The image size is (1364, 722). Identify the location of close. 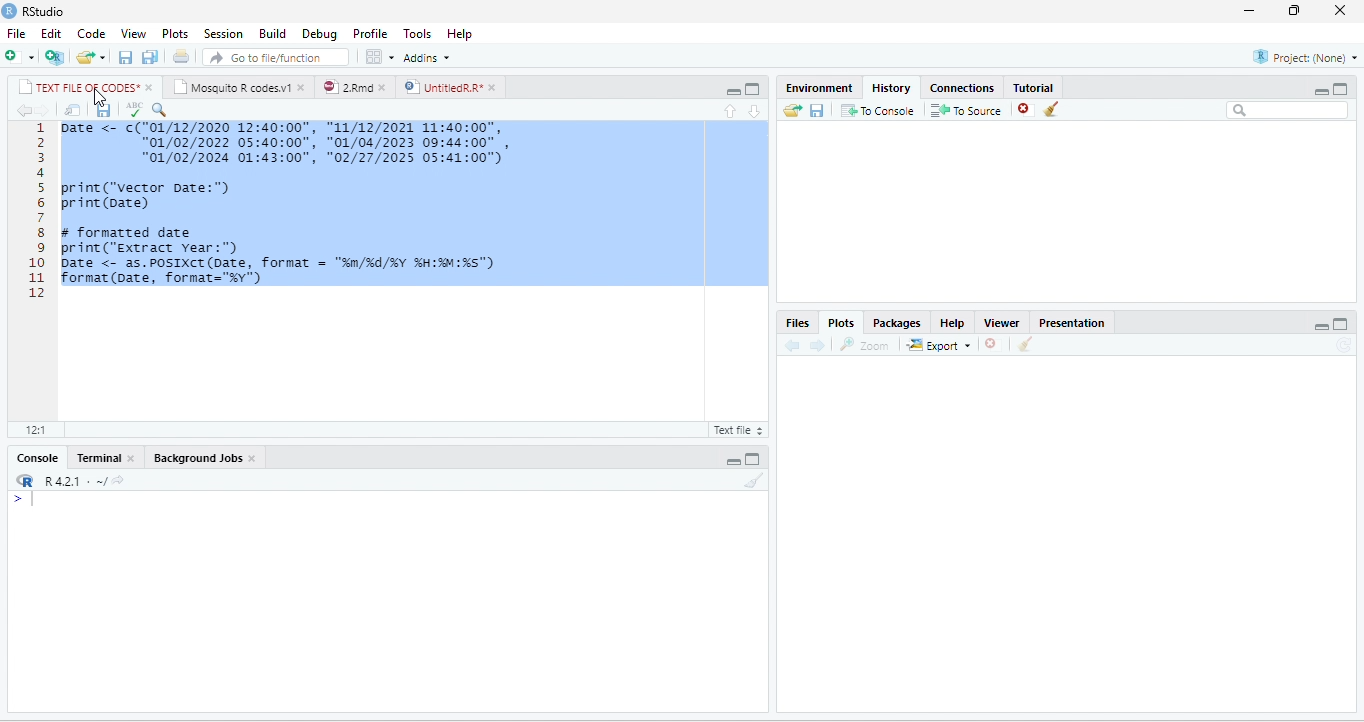
(385, 87).